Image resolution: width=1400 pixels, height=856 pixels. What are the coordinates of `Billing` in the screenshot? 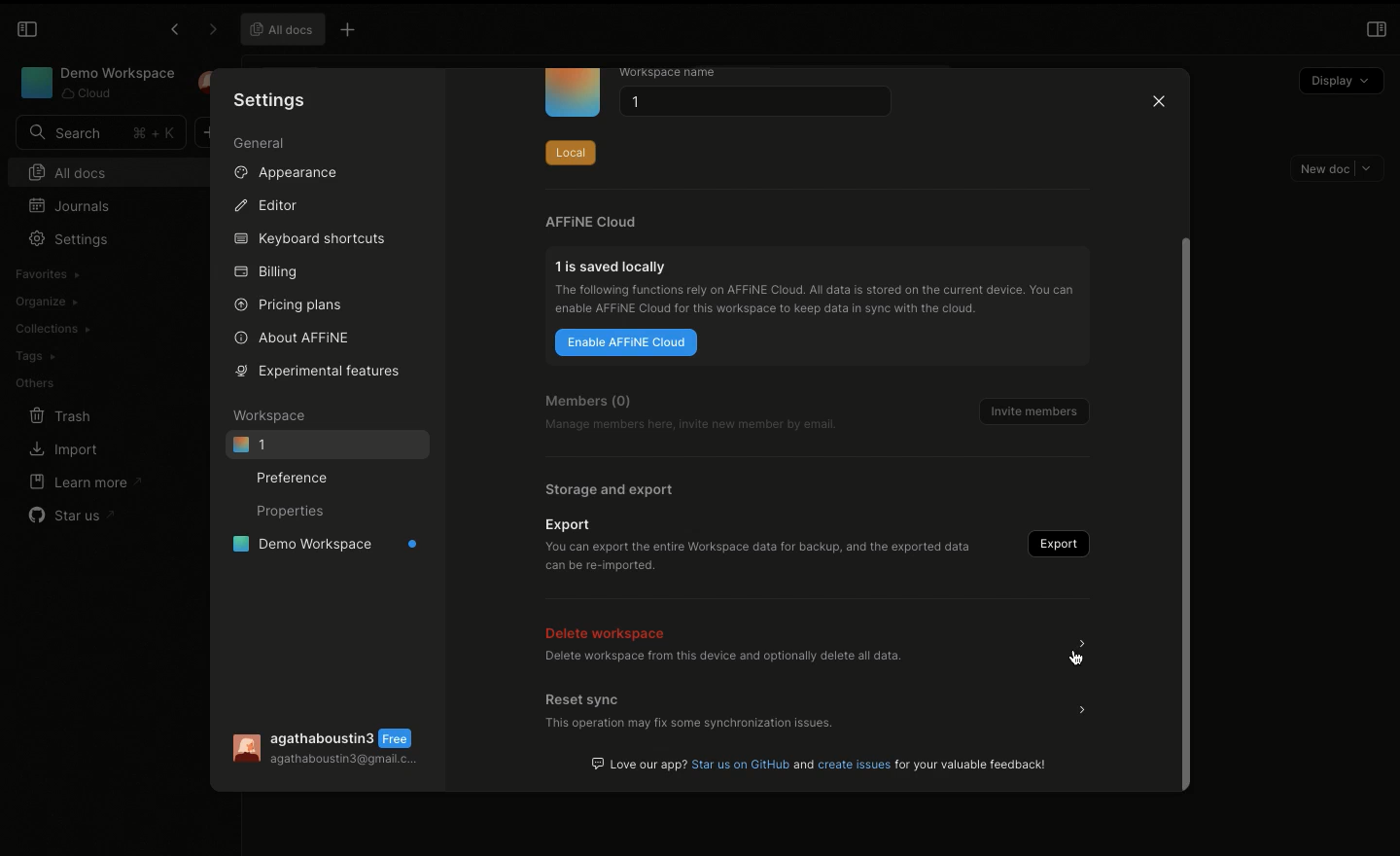 It's located at (267, 272).